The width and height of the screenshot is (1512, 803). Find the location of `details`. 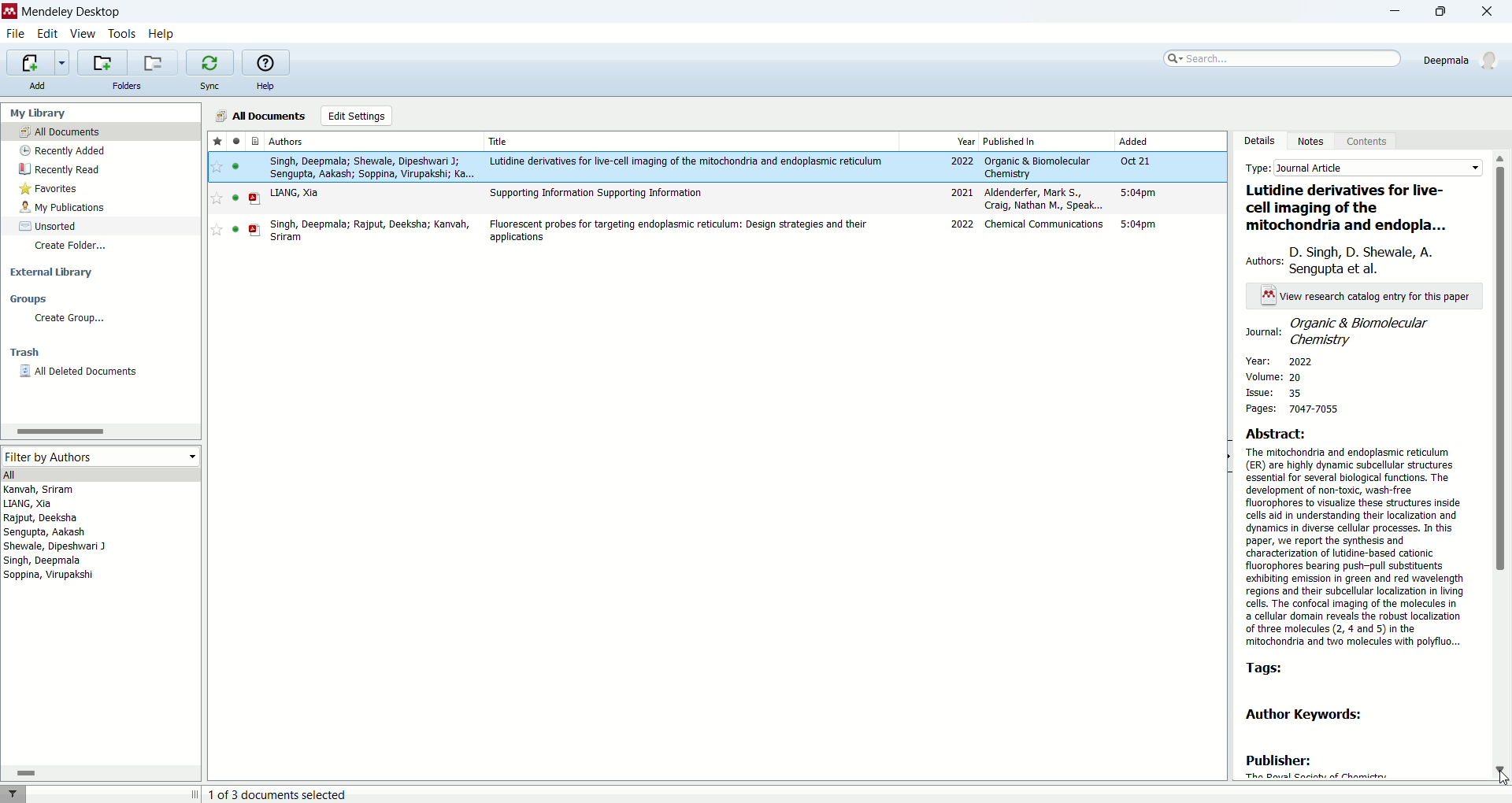

details is located at coordinates (1258, 141).